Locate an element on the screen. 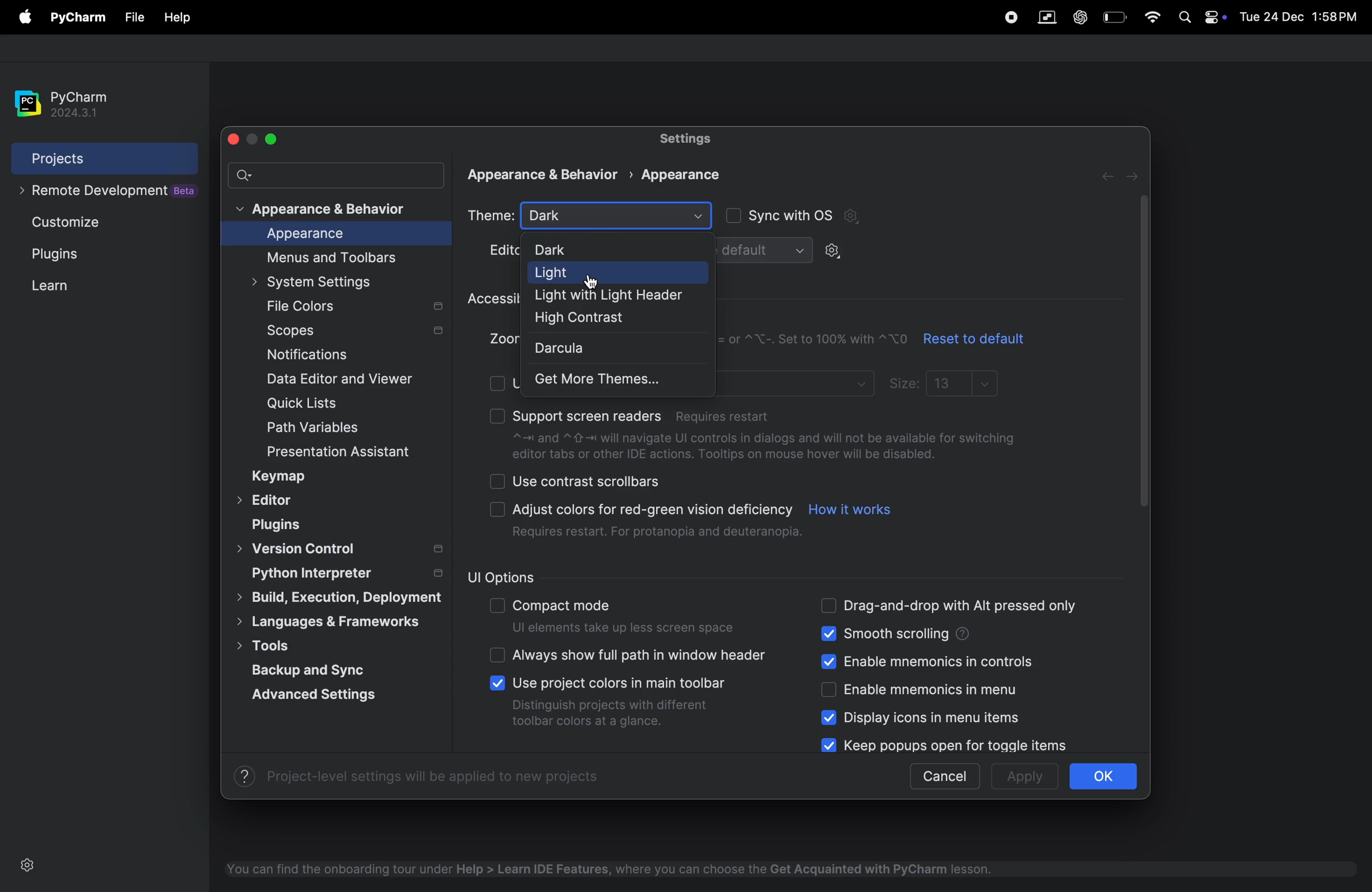  apply is located at coordinates (1022, 778).